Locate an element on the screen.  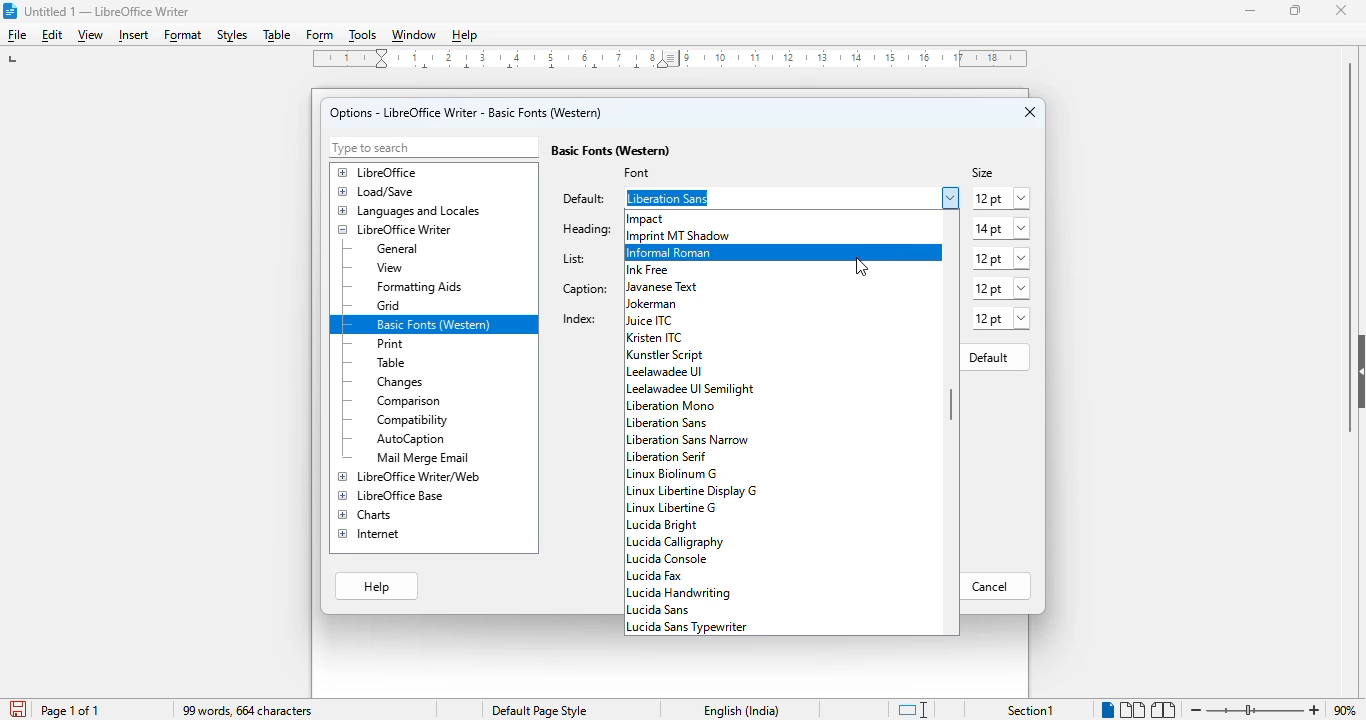
center tab is located at coordinates (472, 70).